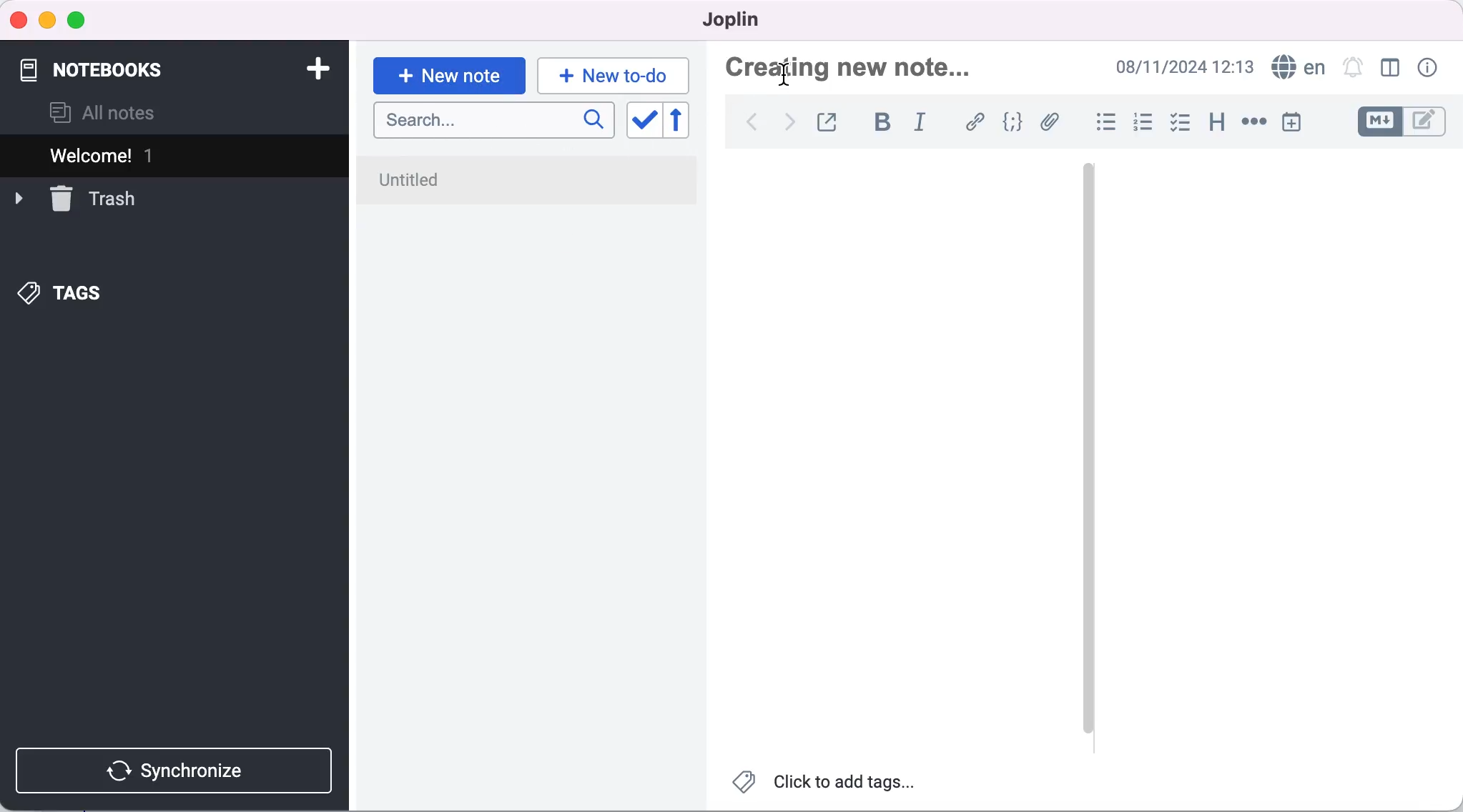  What do you see at coordinates (1181, 124) in the screenshot?
I see `checkbox` at bounding box center [1181, 124].